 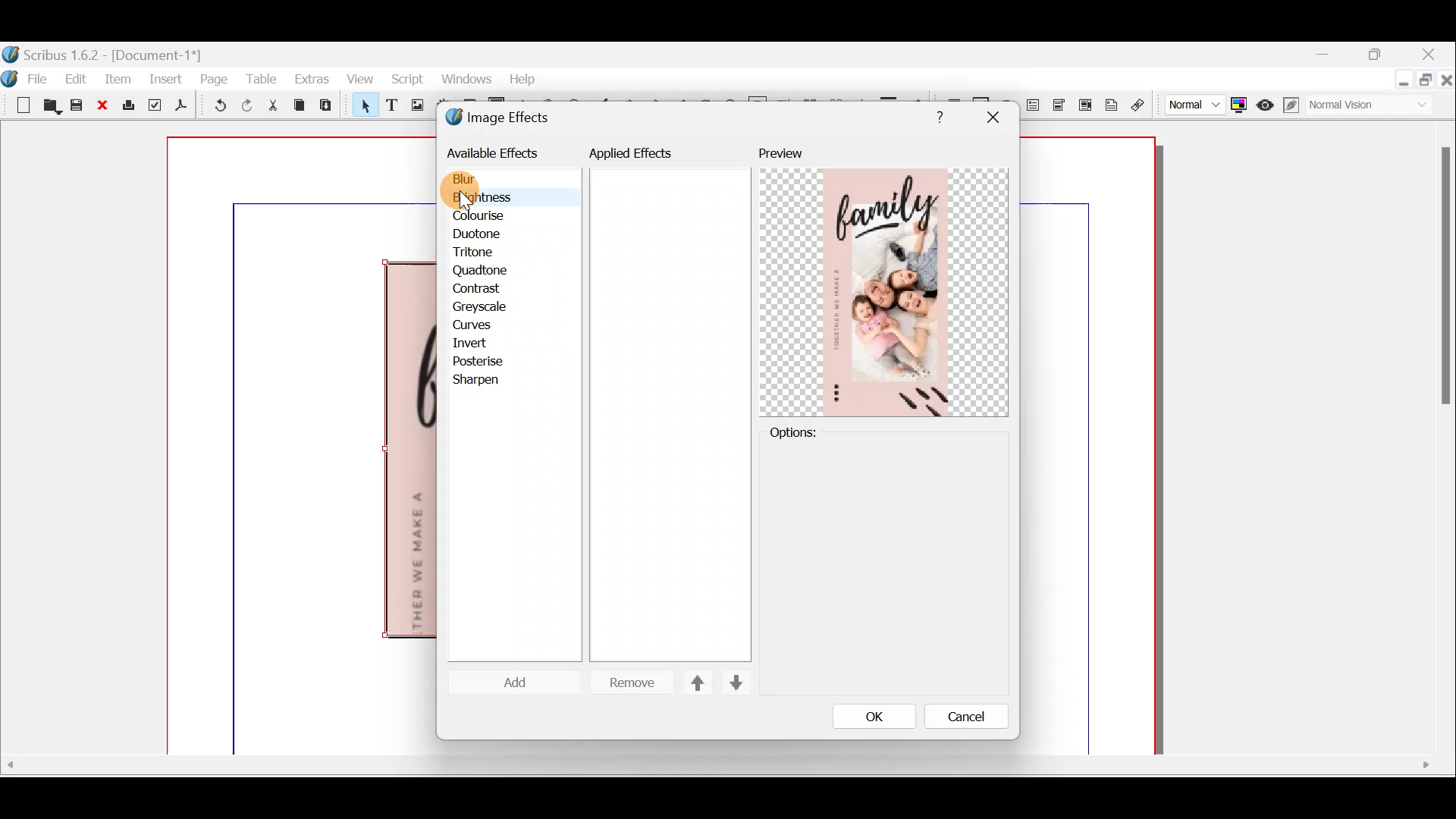 I want to click on Edit, so click(x=78, y=78).